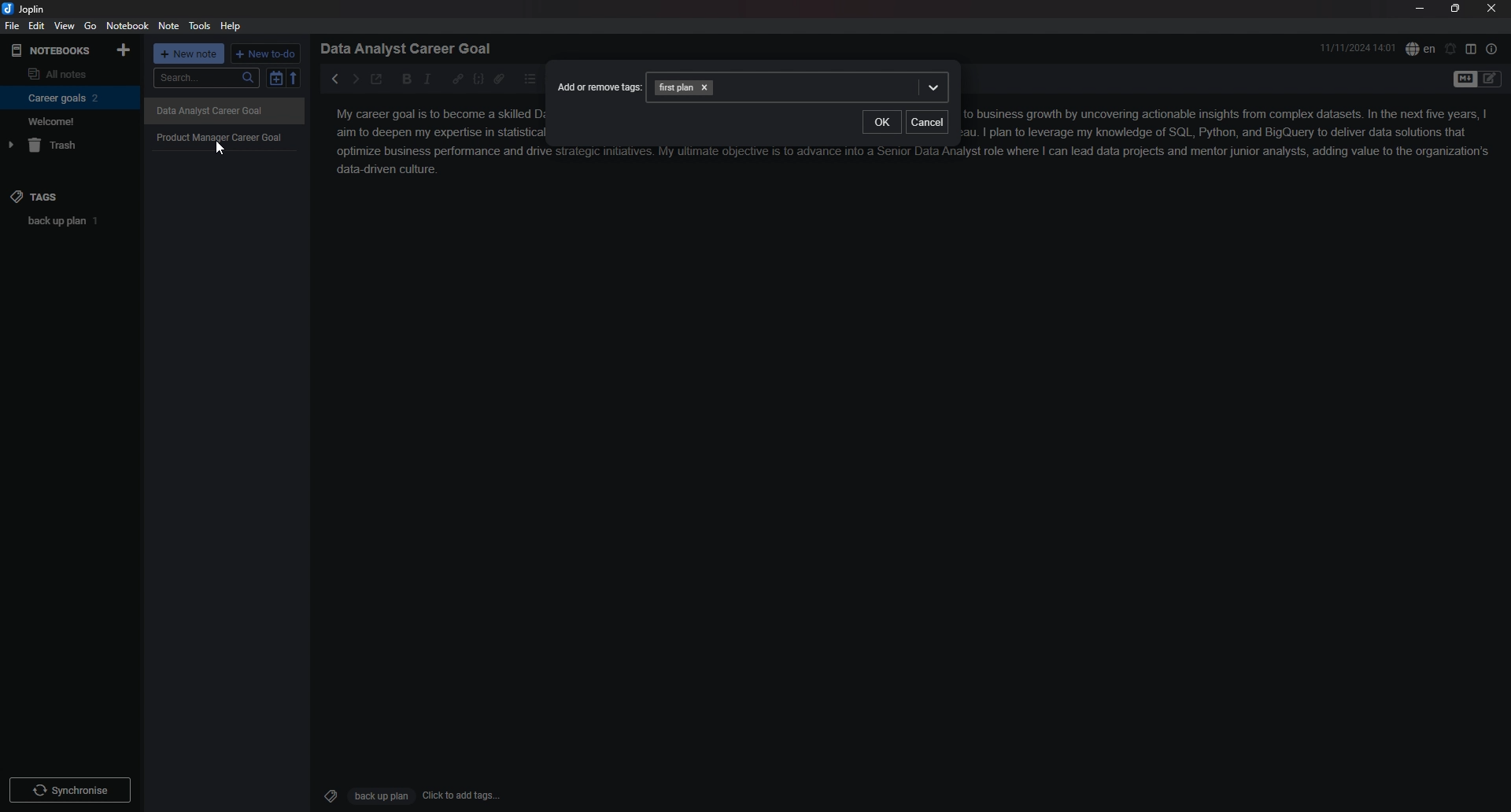  What do you see at coordinates (478, 79) in the screenshot?
I see `code` at bounding box center [478, 79].